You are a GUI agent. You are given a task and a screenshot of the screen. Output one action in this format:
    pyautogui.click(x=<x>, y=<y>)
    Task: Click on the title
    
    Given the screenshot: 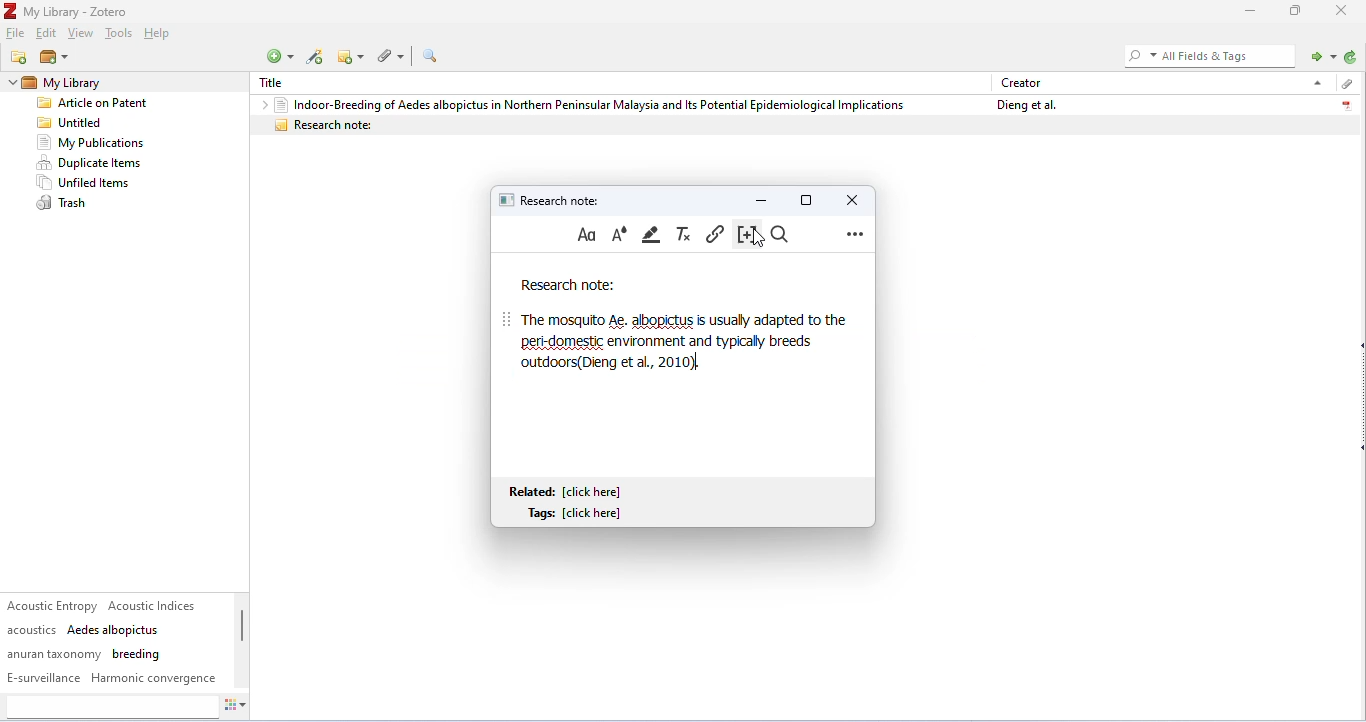 What is the action you would take?
    pyautogui.click(x=68, y=11)
    